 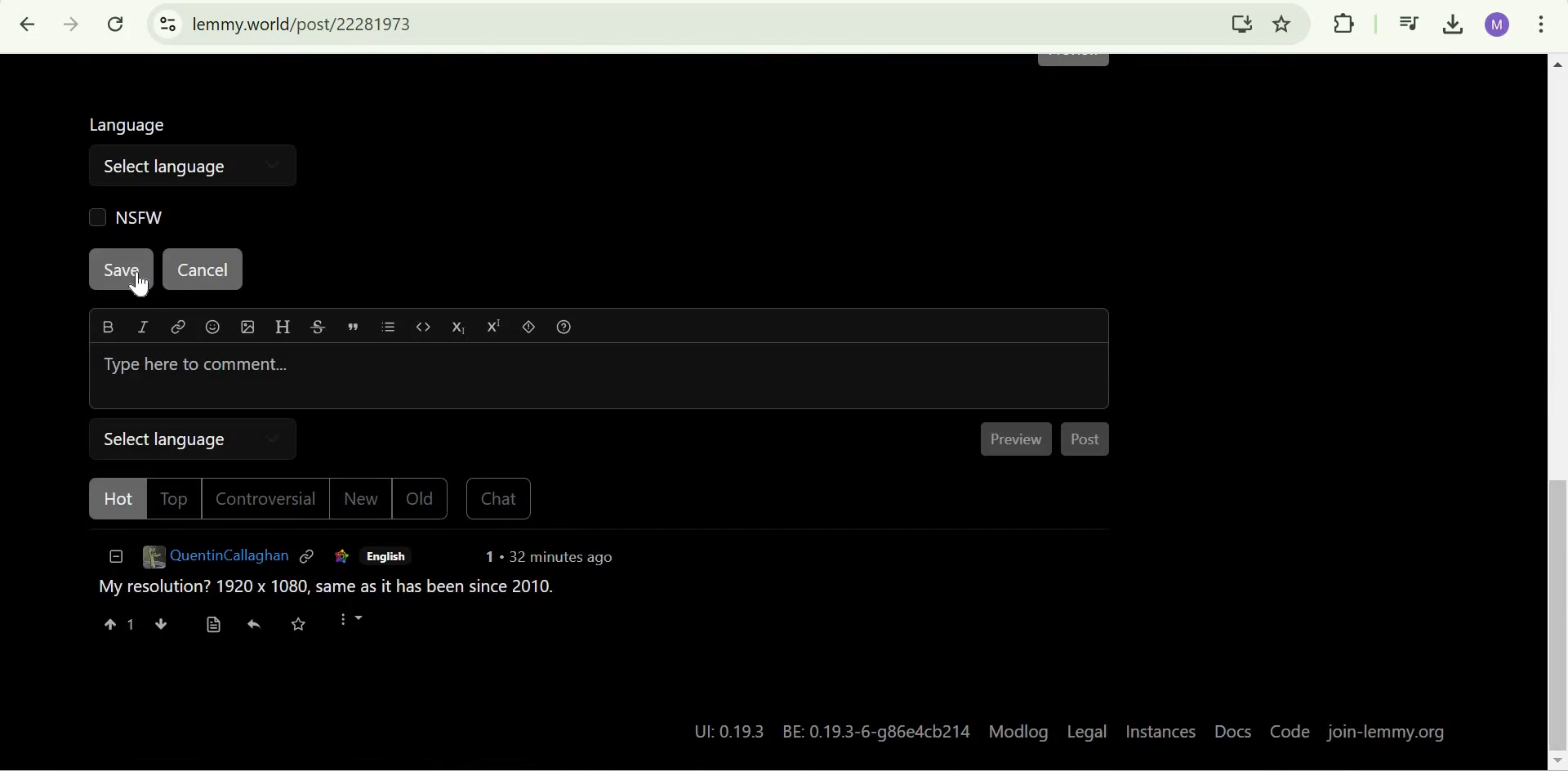 What do you see at coordinates (1455, 25) in the screenshot?
I see `Downloads` at bounding box center [1455, 25].